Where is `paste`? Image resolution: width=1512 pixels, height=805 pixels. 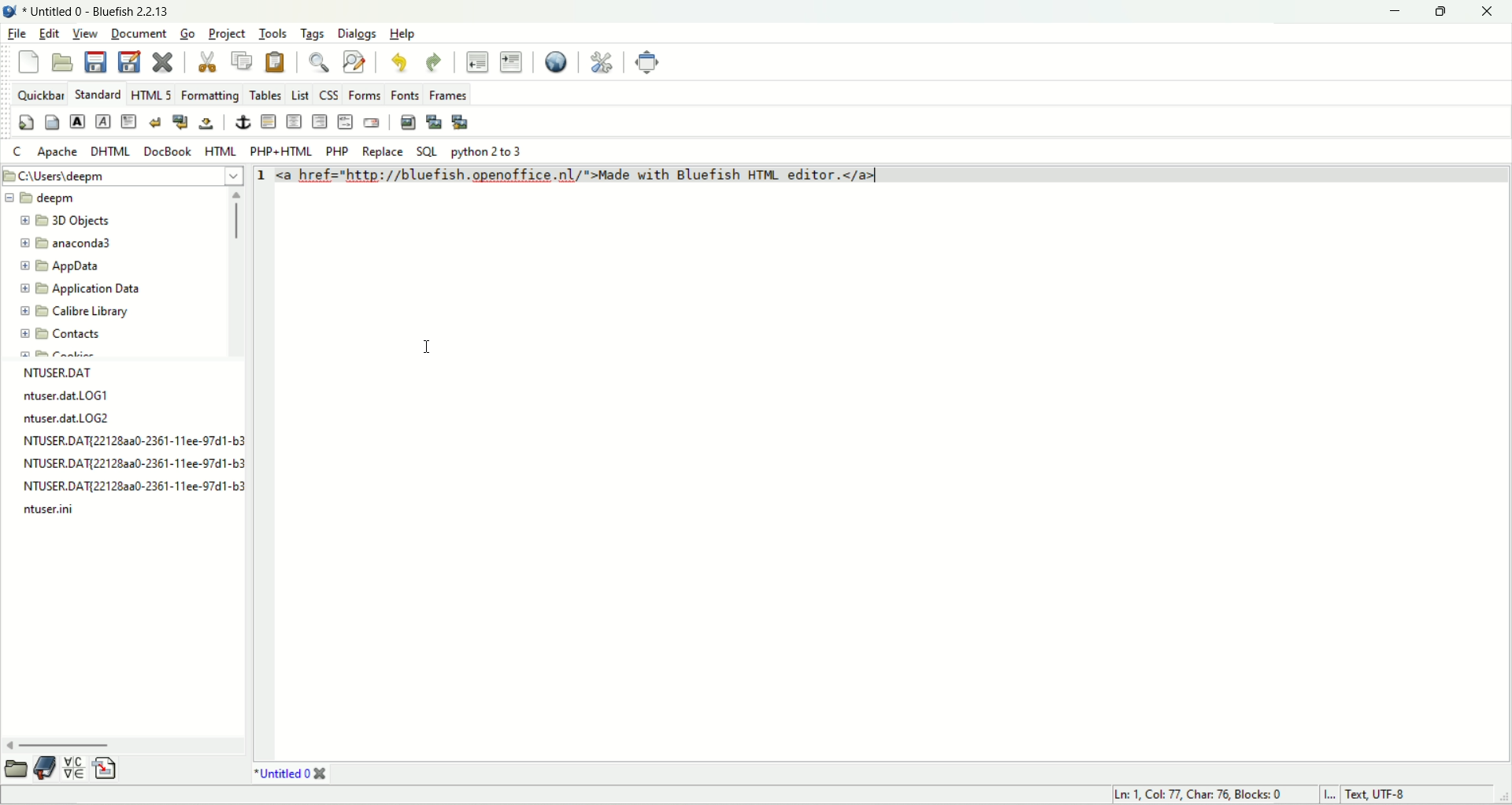 paste is located at coordinates (271, 62).